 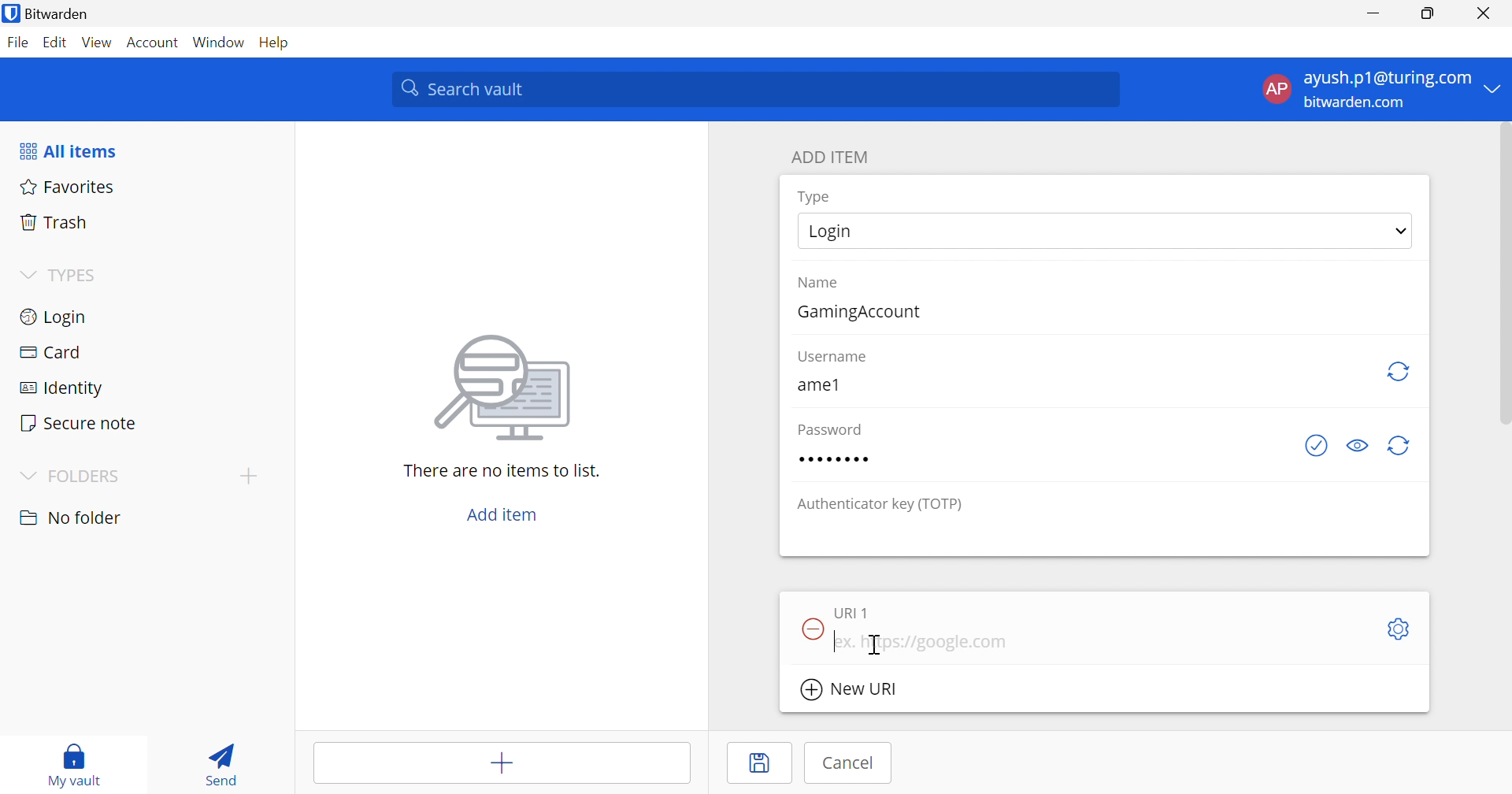 I want to click on Regenerate Username, so click(x=1400, y=371).